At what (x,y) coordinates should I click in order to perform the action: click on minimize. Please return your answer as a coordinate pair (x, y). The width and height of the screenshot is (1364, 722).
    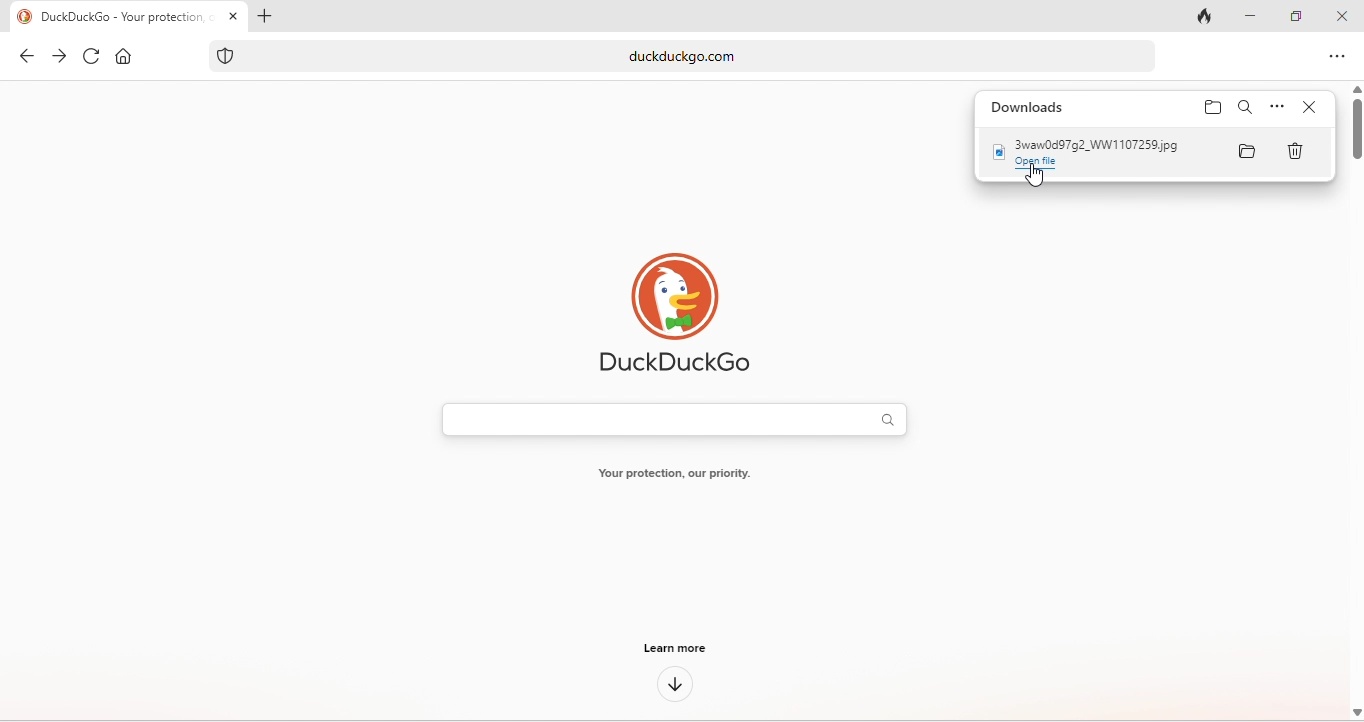
    Looking at the image, I should click on (1251, 15).